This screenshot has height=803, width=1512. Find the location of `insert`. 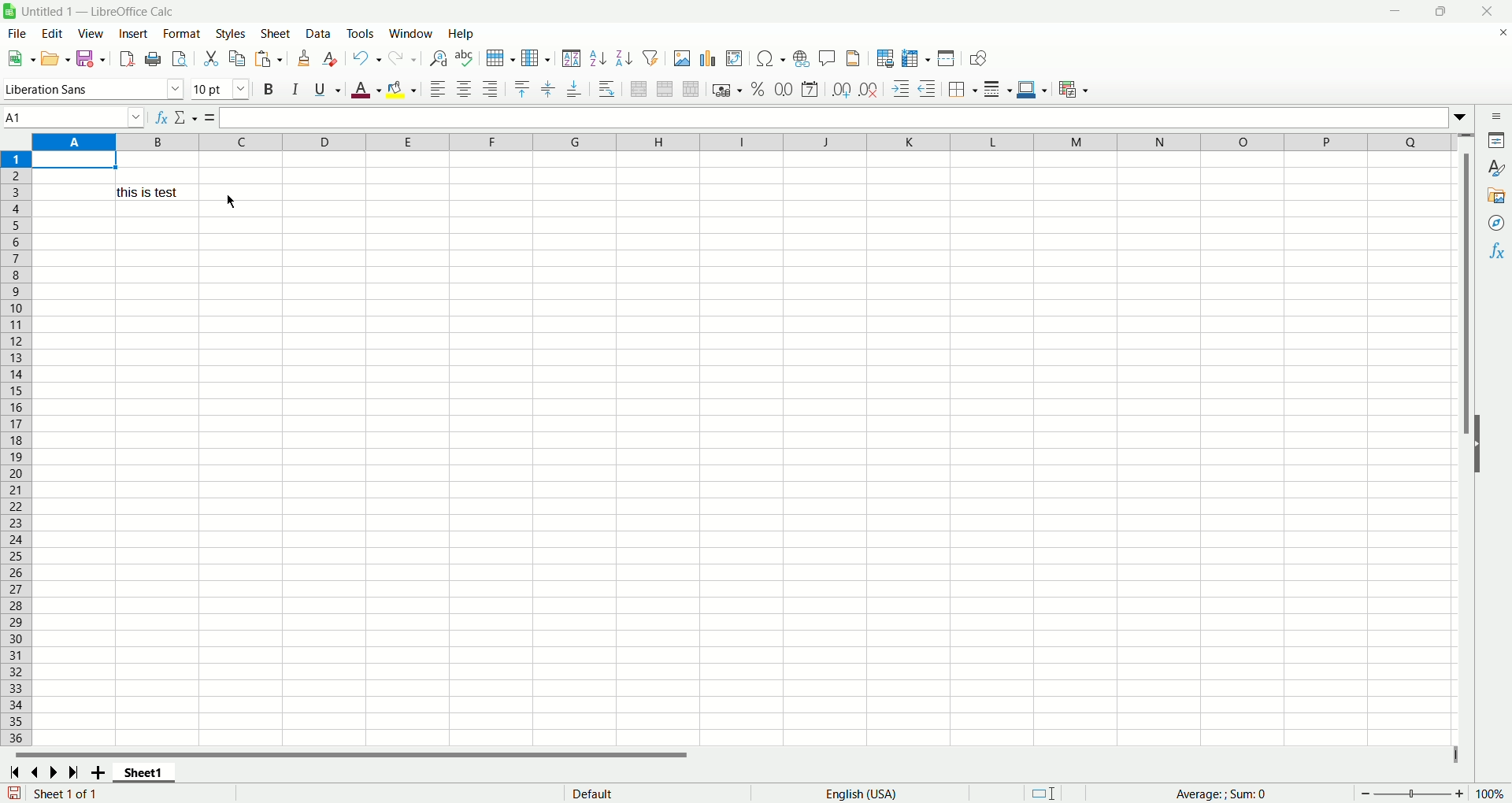

insert is located at coordinates (134, 33).